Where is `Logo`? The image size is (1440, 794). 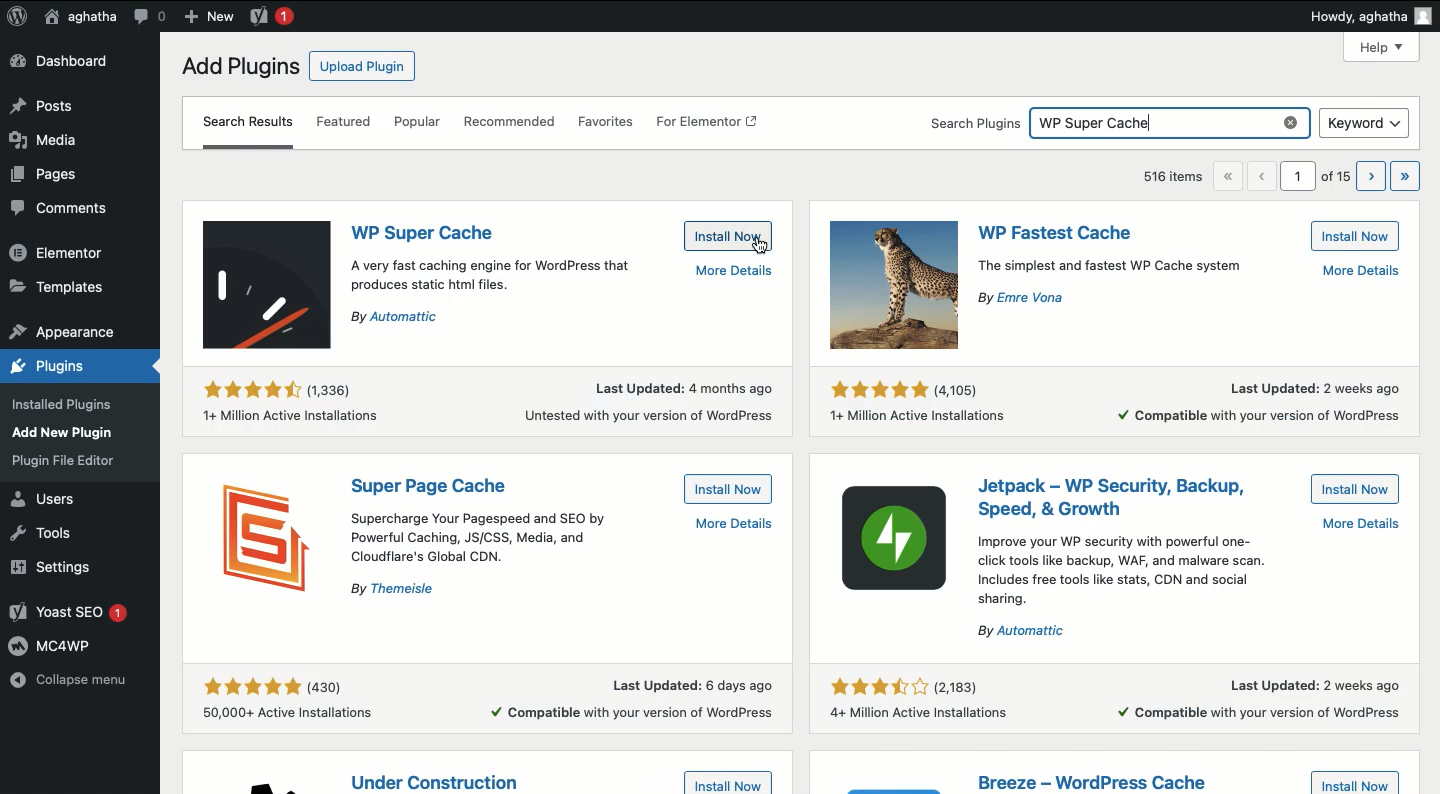 Logo is located at coordinates (17, 18).